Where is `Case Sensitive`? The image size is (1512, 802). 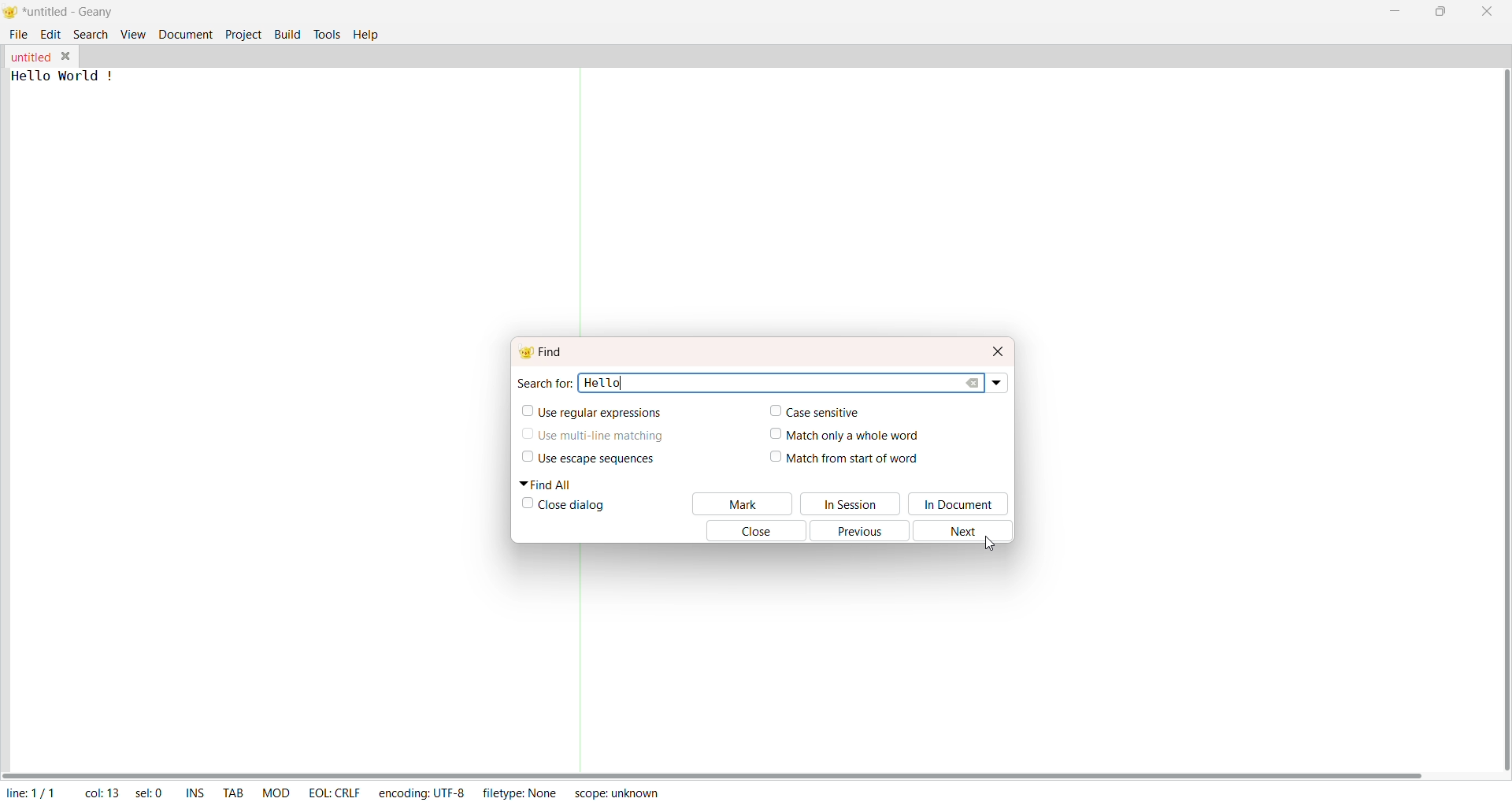 Case Sensitive is located at coordinates (830, 414).